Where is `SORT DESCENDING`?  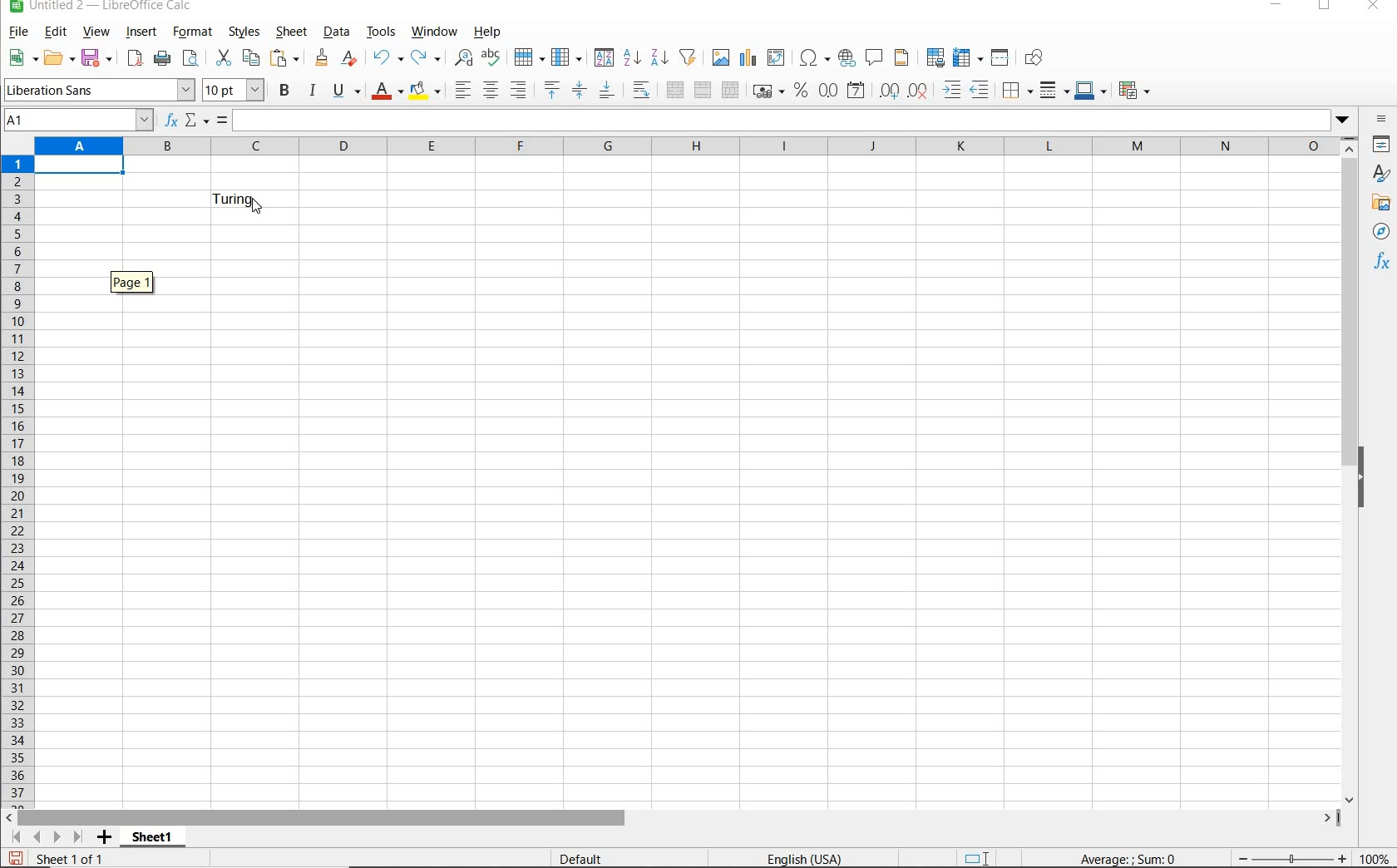 SORT DESCENDING is located at coordinates (659, 61).